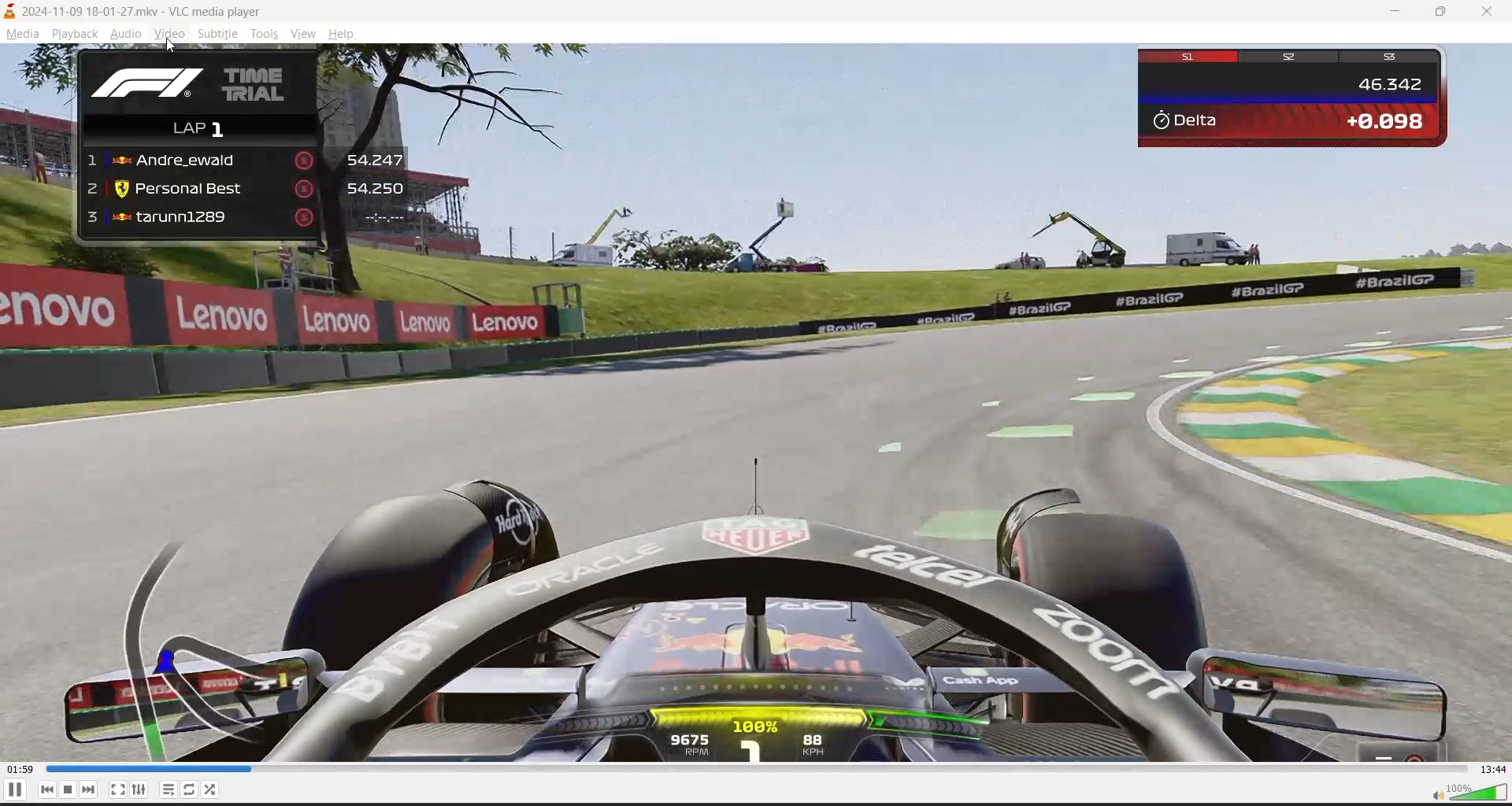 The height and width of the screenshot is (806, 1512). What do you see at coordinates (79, 33) in the screenshot?
I see `playback` at bounding box center [79, 33].